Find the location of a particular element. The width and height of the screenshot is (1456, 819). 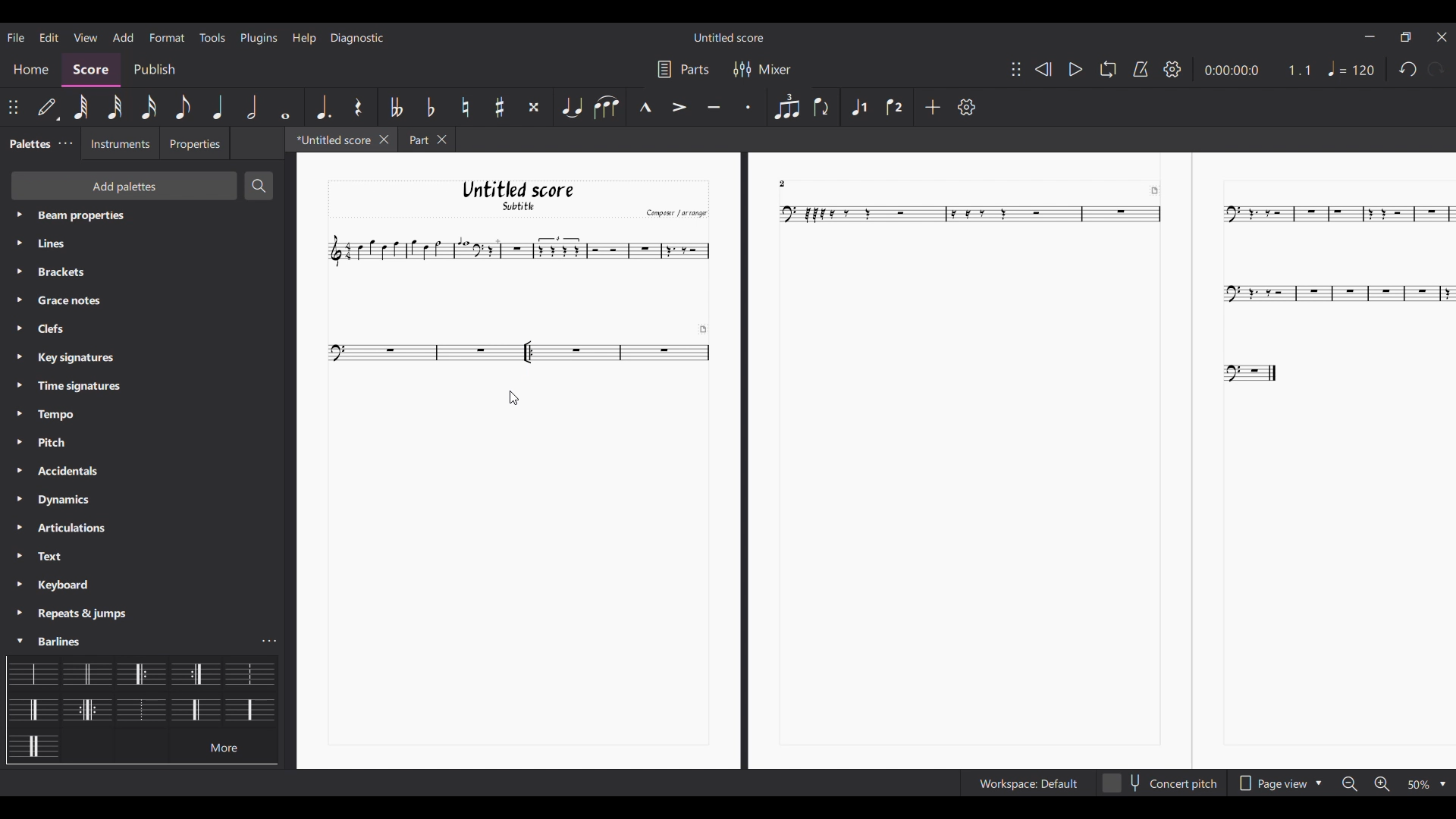

Mixer settings is located at coordinates (763, 70).